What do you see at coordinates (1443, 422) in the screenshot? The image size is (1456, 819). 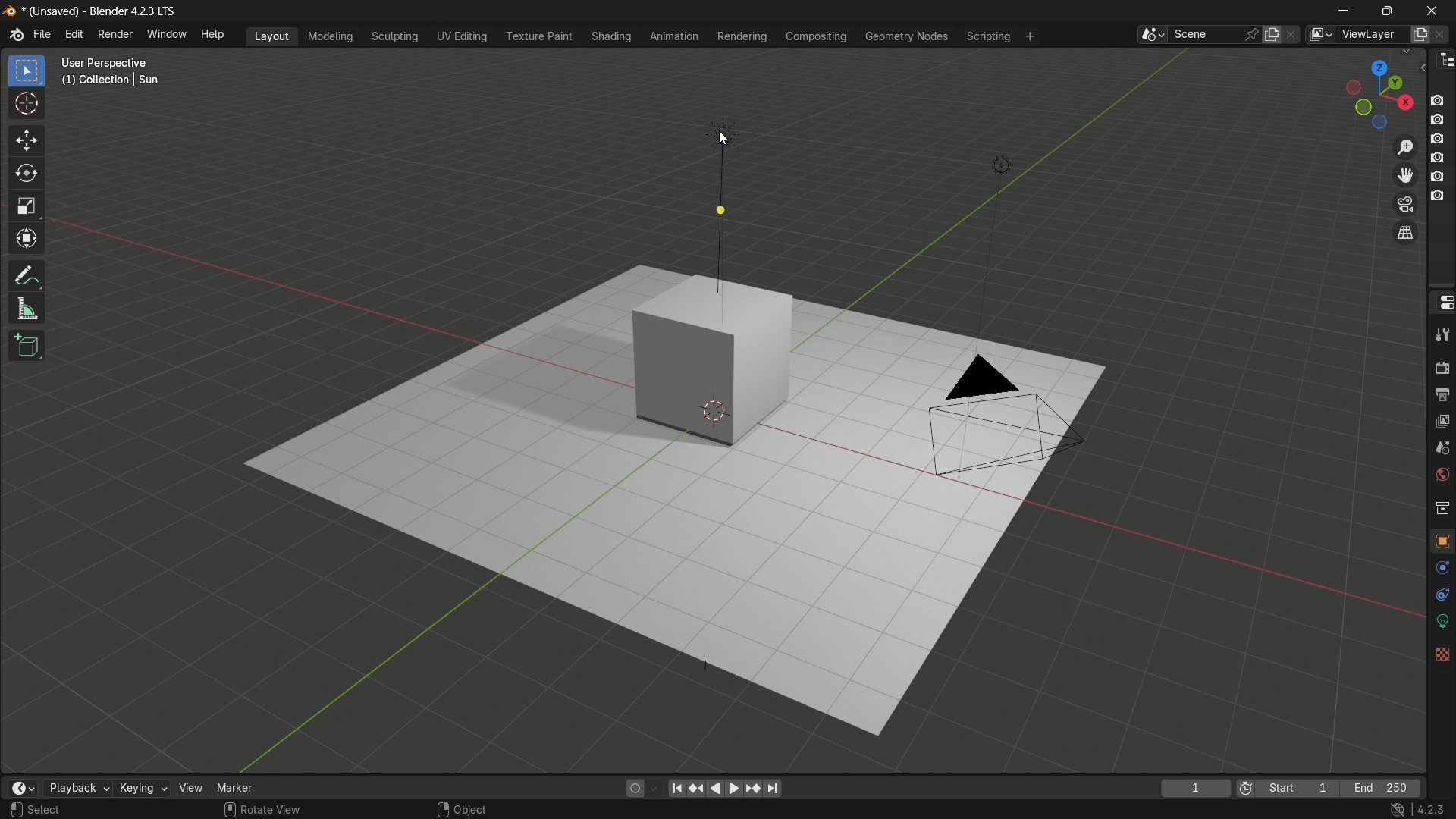 I see `view layer` at bounding box center [1443, 422].